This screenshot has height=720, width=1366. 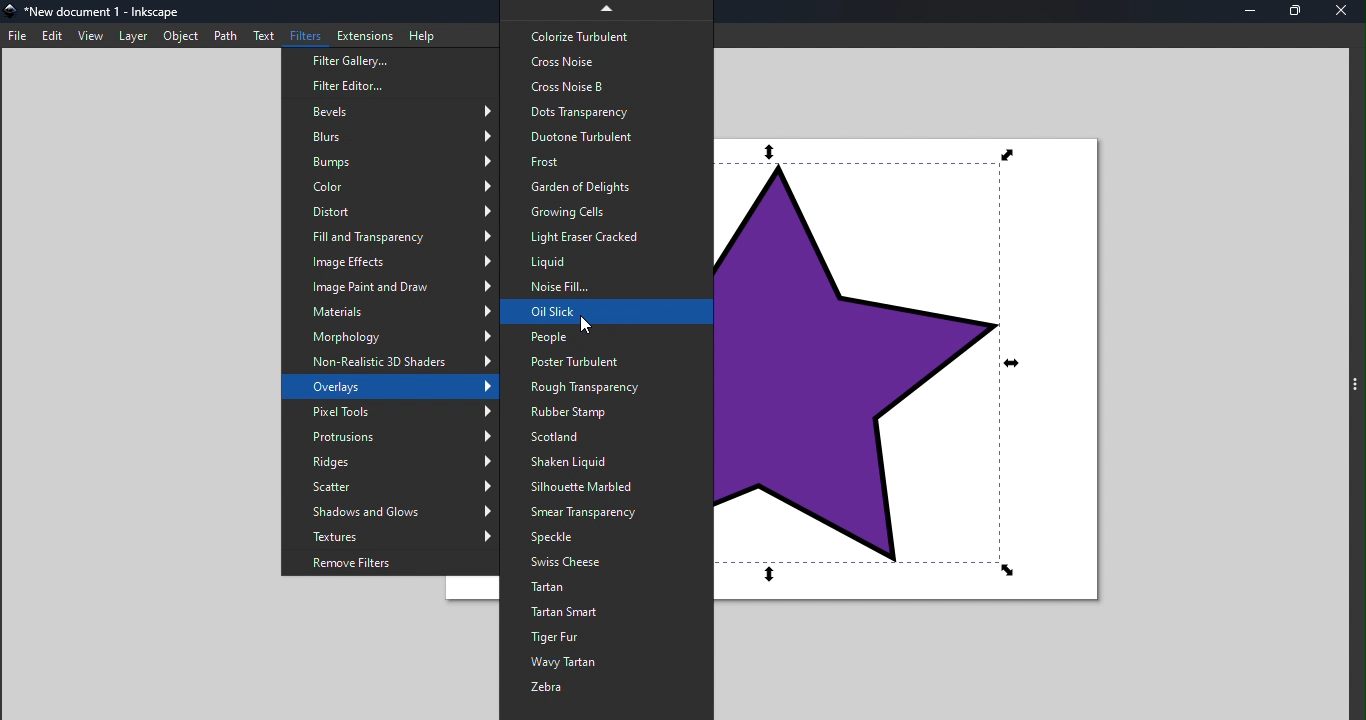 What do you see at coordinates (88, 36) in the screenshot?
I see `View` at bounding box center [88, 36].